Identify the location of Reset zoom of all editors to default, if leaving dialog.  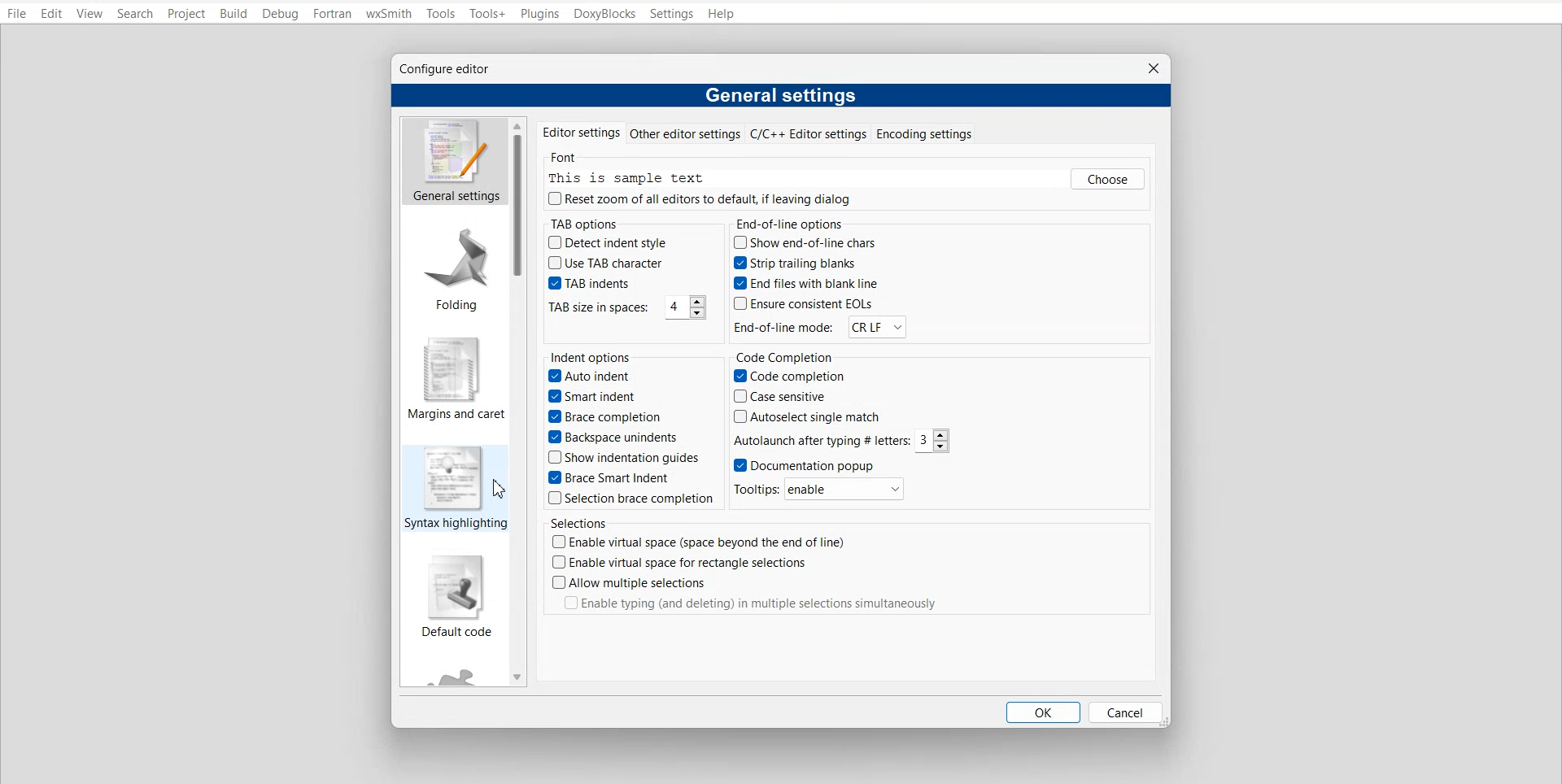
(700, 199).